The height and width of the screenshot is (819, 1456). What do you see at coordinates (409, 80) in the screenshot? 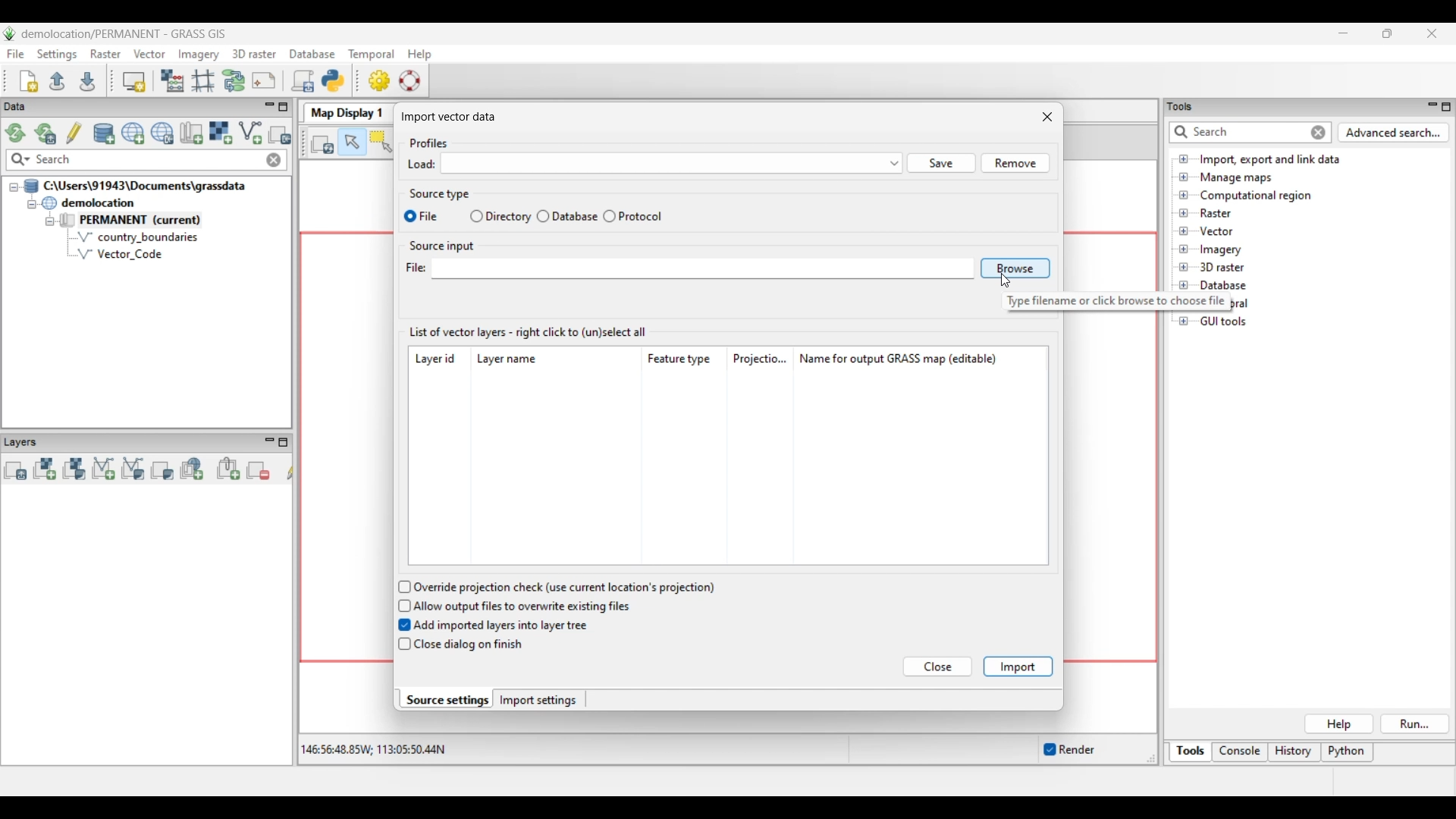
I see `GRASS manual` at bounding box center [409, 80].